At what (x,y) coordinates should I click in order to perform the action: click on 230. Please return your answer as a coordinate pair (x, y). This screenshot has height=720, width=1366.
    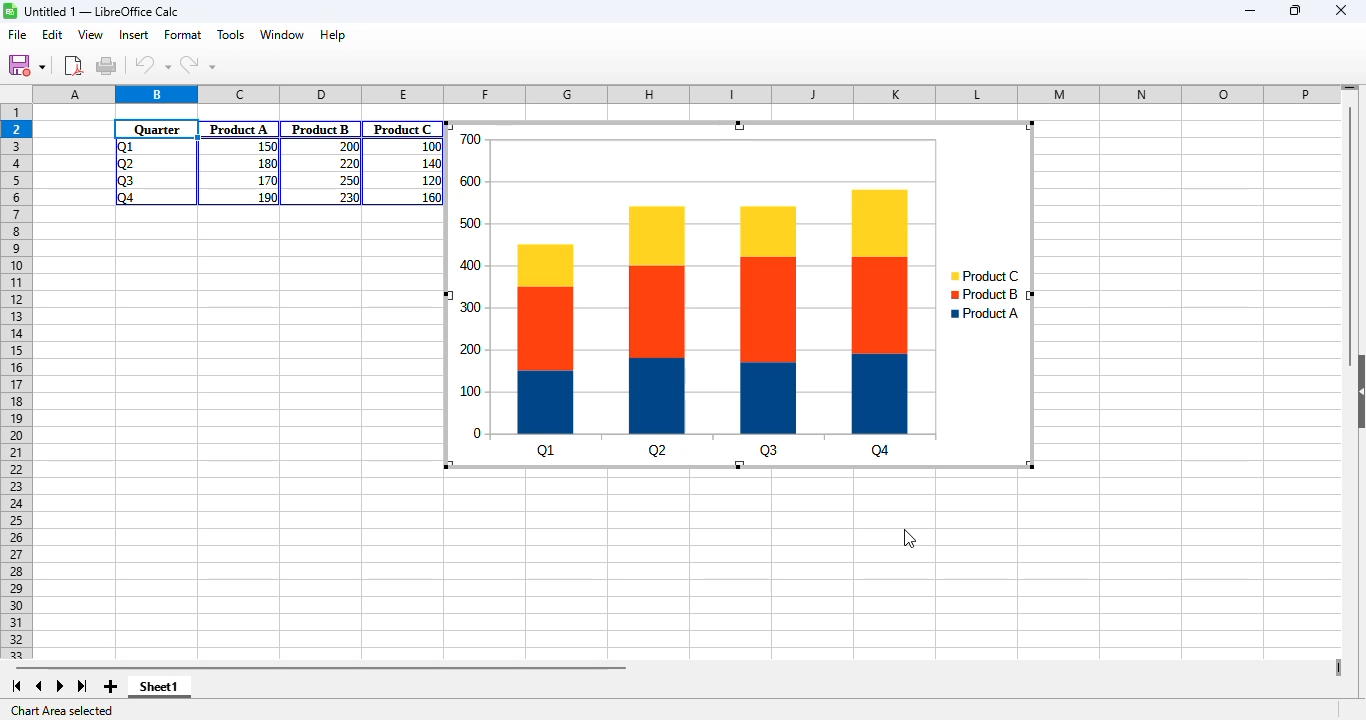
    Looking at the image, I should click on (348, 197).